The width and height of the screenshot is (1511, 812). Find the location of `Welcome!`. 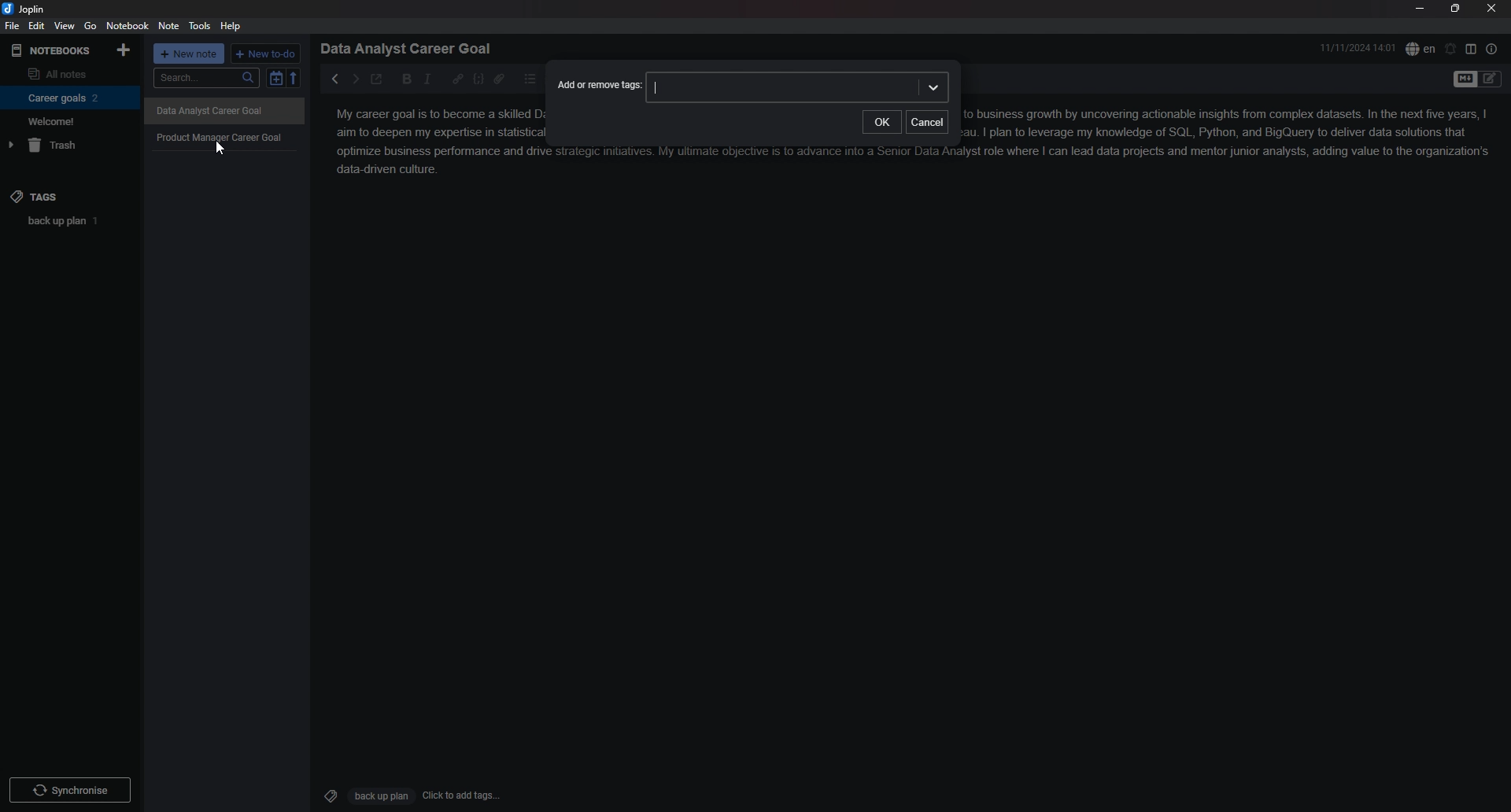

Welcome! is located at coordinates (66, 120).